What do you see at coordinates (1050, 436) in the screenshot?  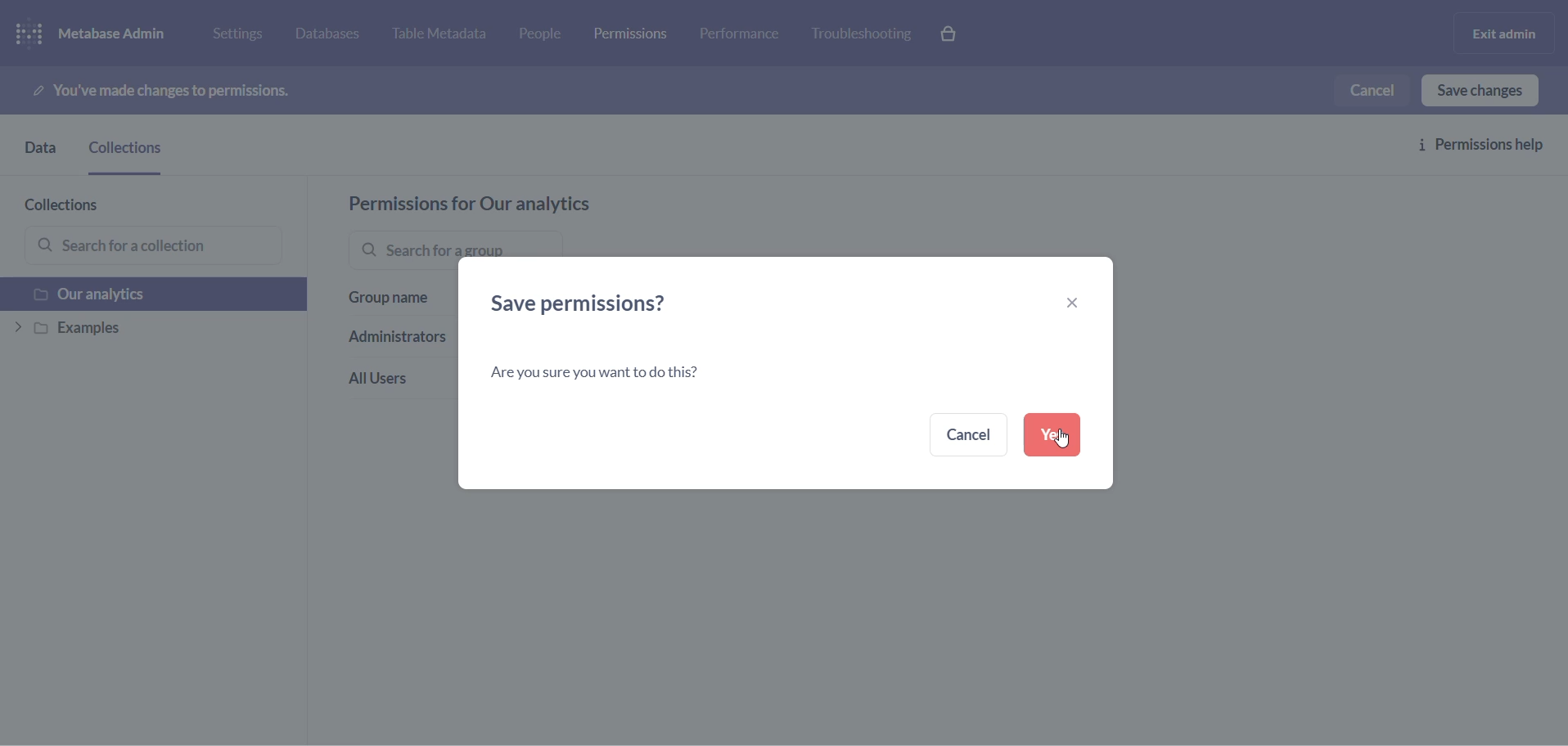 I see `yes` at bounding box center [1050, 436].